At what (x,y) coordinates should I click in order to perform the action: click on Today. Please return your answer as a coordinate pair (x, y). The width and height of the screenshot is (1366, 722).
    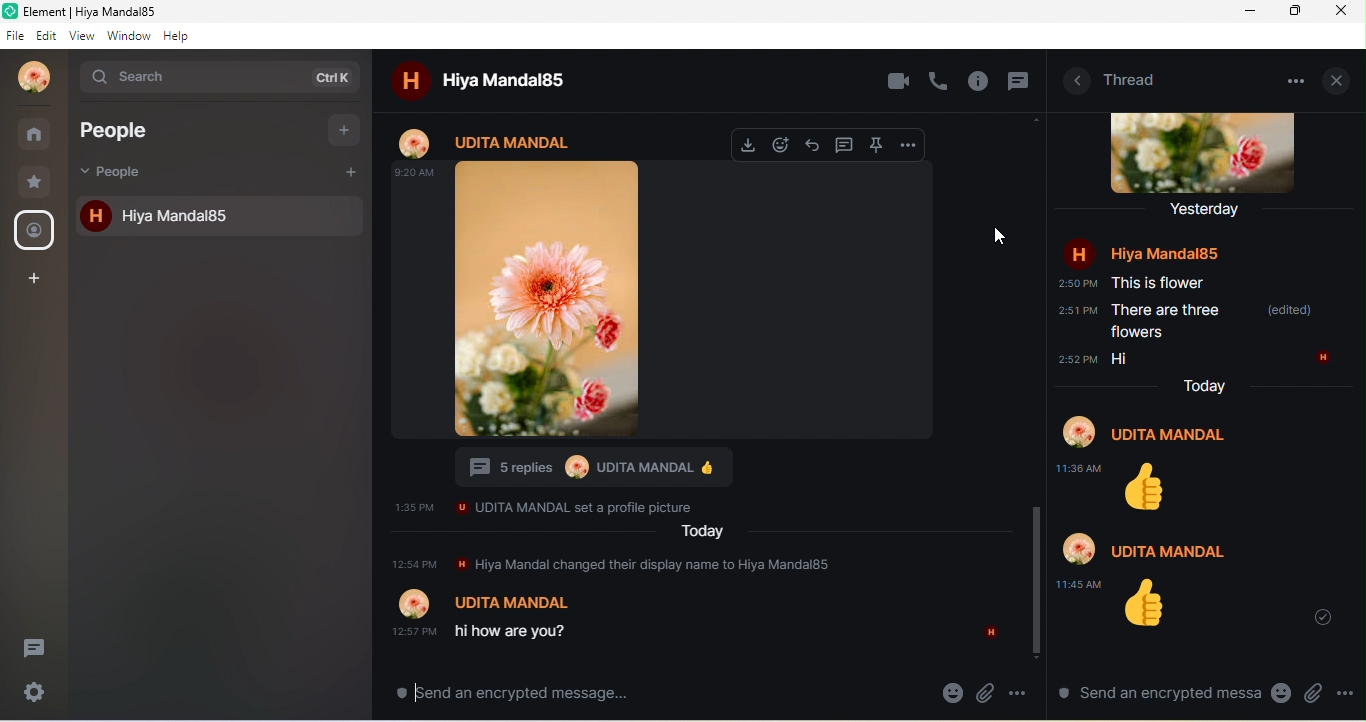
    Looking at the image, I should click on (1202, 384).